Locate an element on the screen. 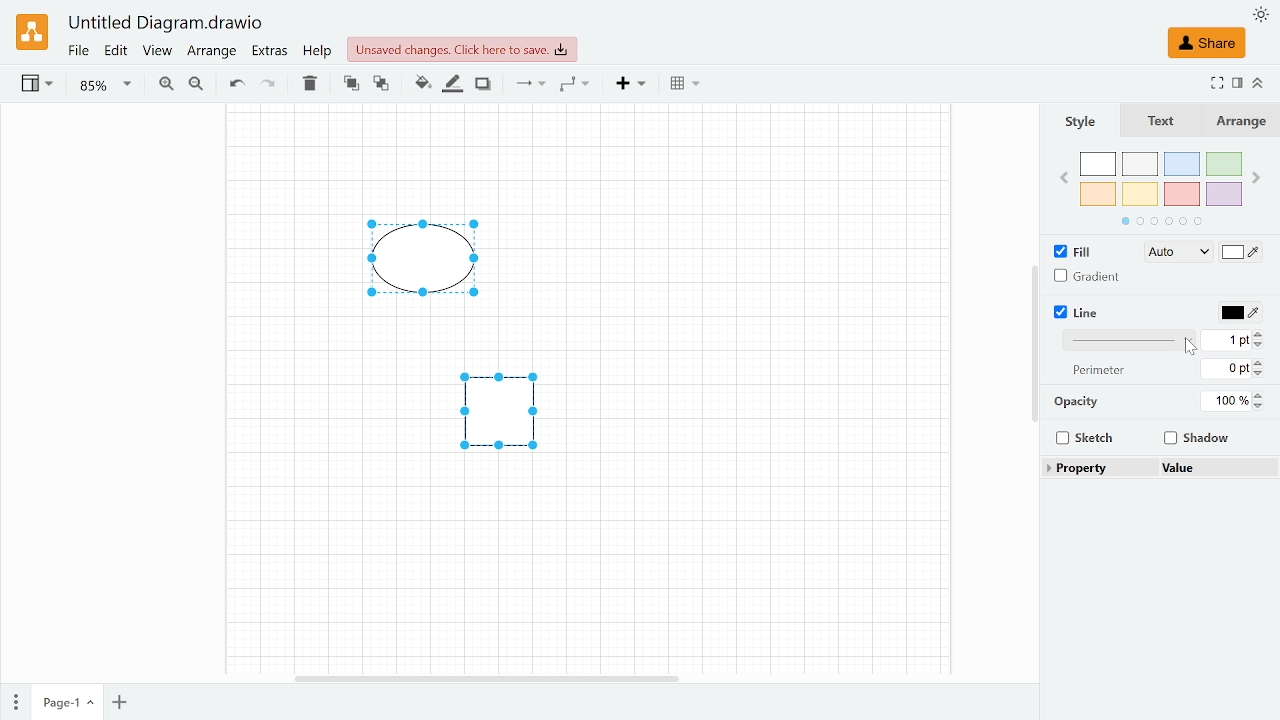 This screenshot has height=720, width=1280. Line width is located at coordinates (1225, 340).